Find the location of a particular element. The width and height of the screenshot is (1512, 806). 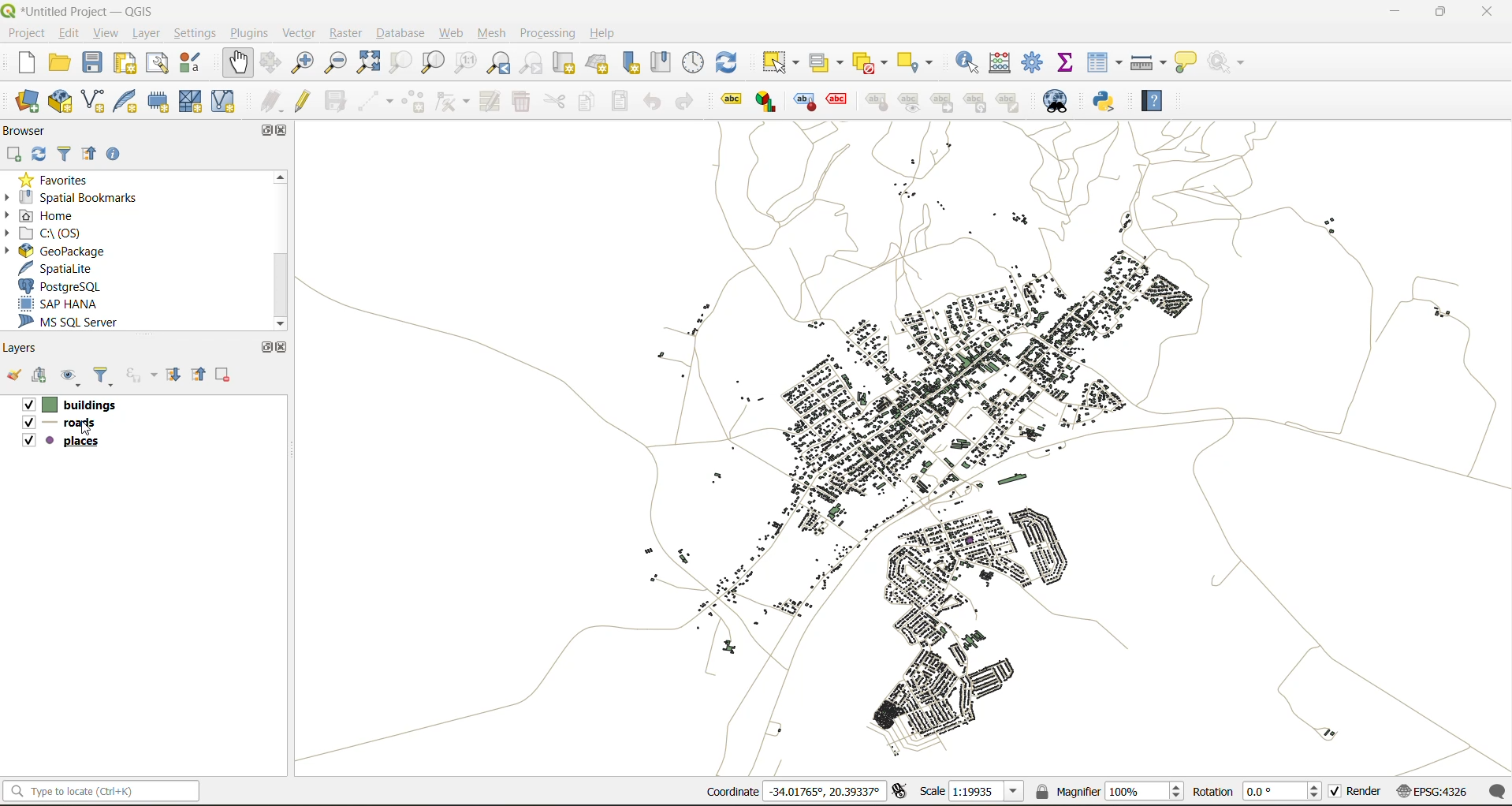

view is located at coordinates (103, 33).